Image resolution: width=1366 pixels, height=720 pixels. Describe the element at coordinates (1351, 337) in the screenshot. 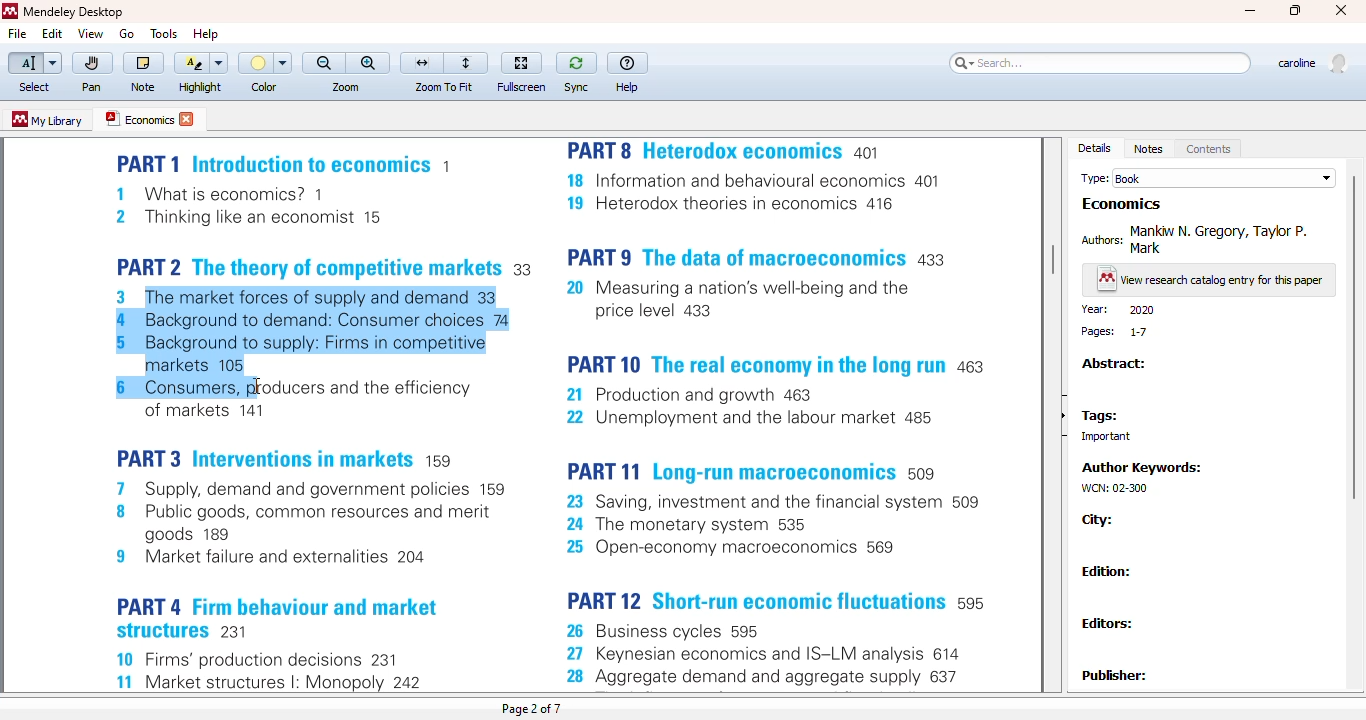

I see `vertical scroll bar` at that location.